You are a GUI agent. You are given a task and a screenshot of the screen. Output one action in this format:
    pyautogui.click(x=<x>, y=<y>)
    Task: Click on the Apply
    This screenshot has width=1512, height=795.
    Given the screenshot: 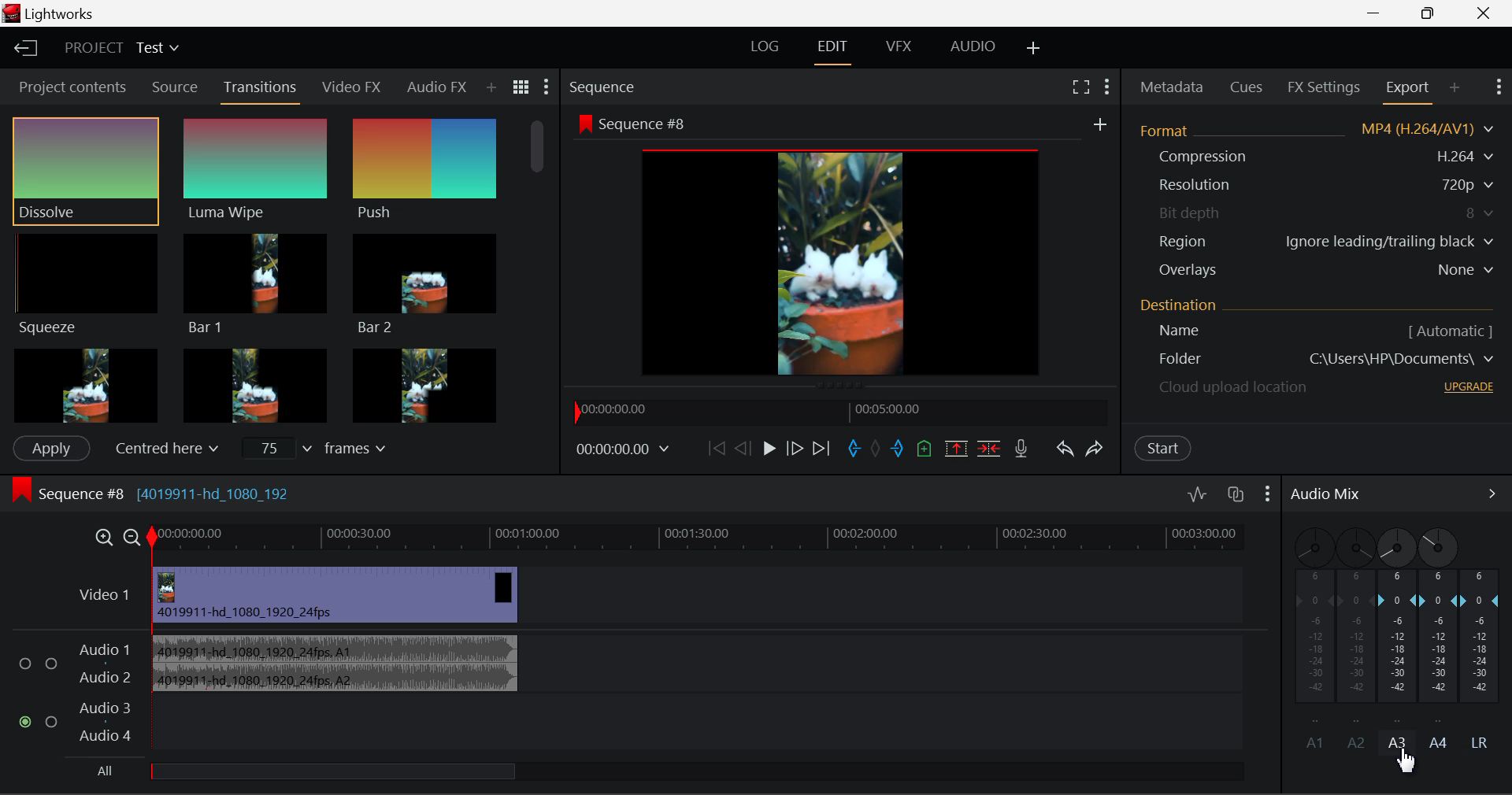 What is the action you would take?
    pyautogui.click(x=51, y=449)
    